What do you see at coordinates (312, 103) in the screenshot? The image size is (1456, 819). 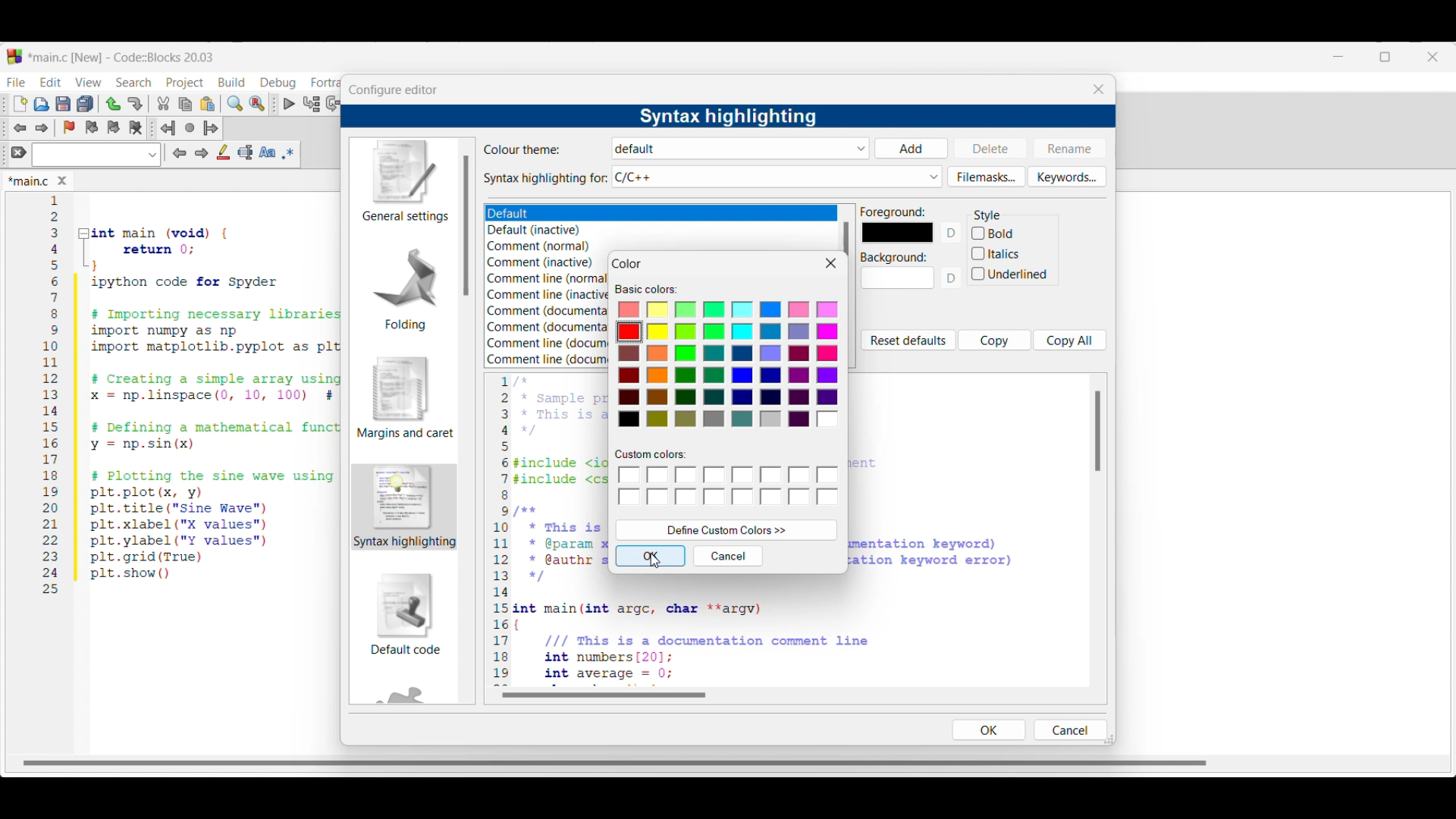 I see `Run to cursor` at bounding box center [312, 103].